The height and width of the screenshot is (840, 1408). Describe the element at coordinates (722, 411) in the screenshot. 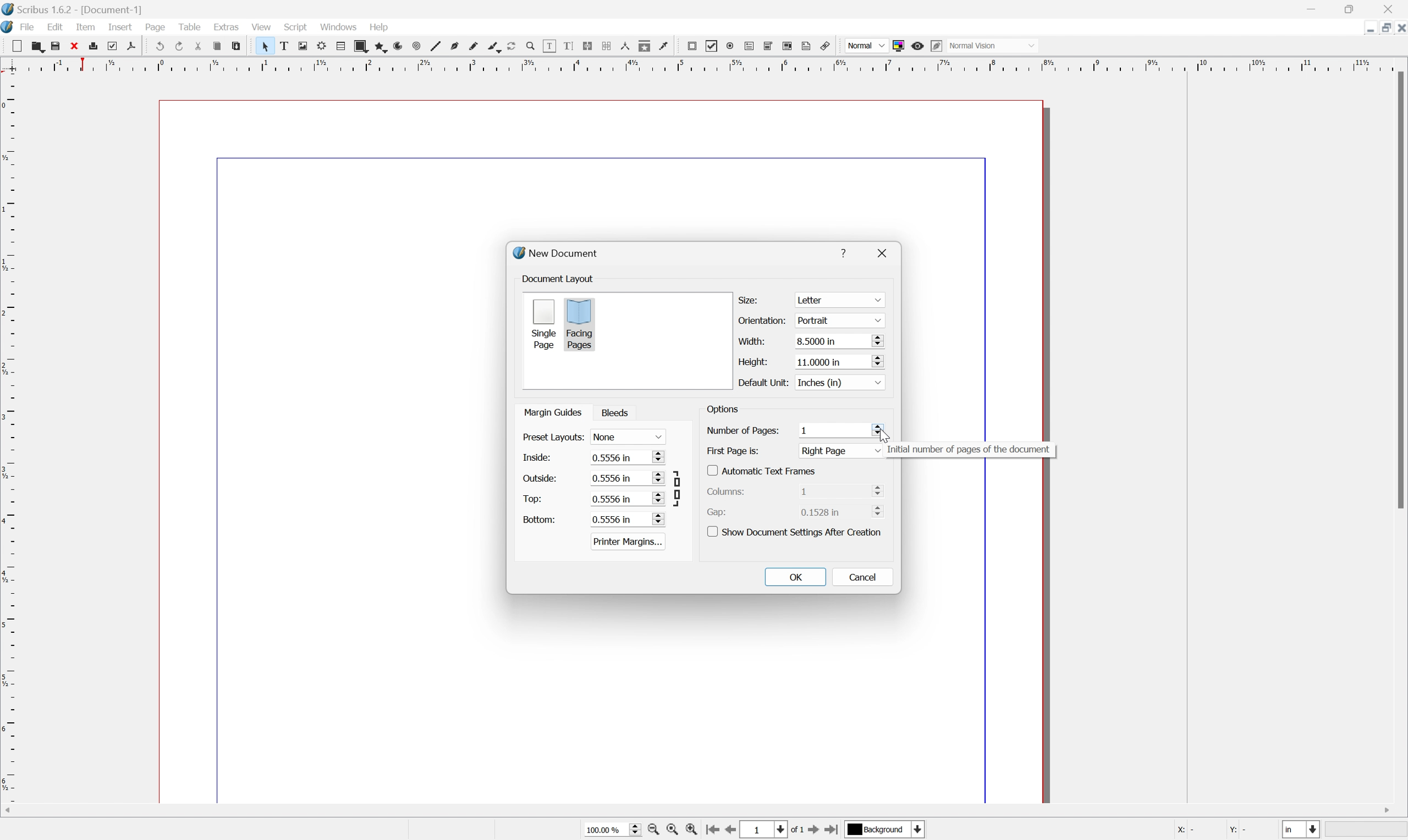

I see `Options` at that location.